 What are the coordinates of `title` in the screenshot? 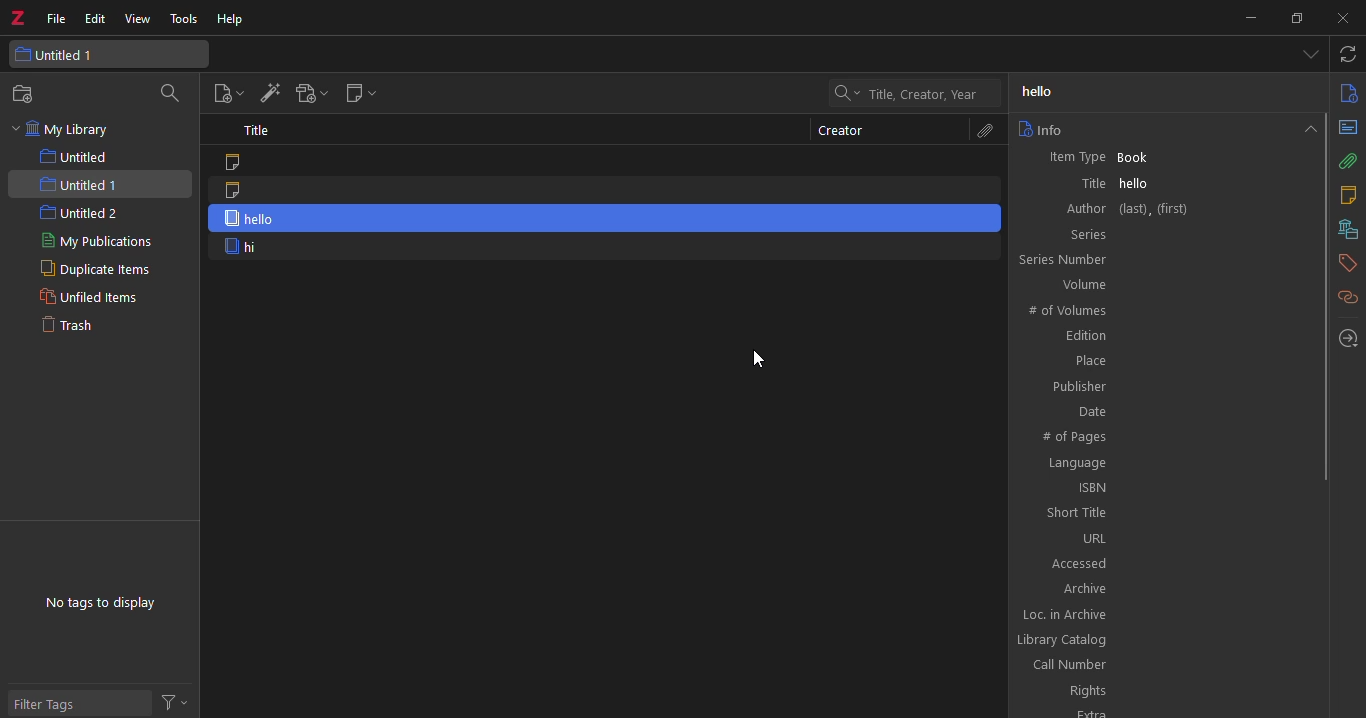 It's located at (1045, 92).